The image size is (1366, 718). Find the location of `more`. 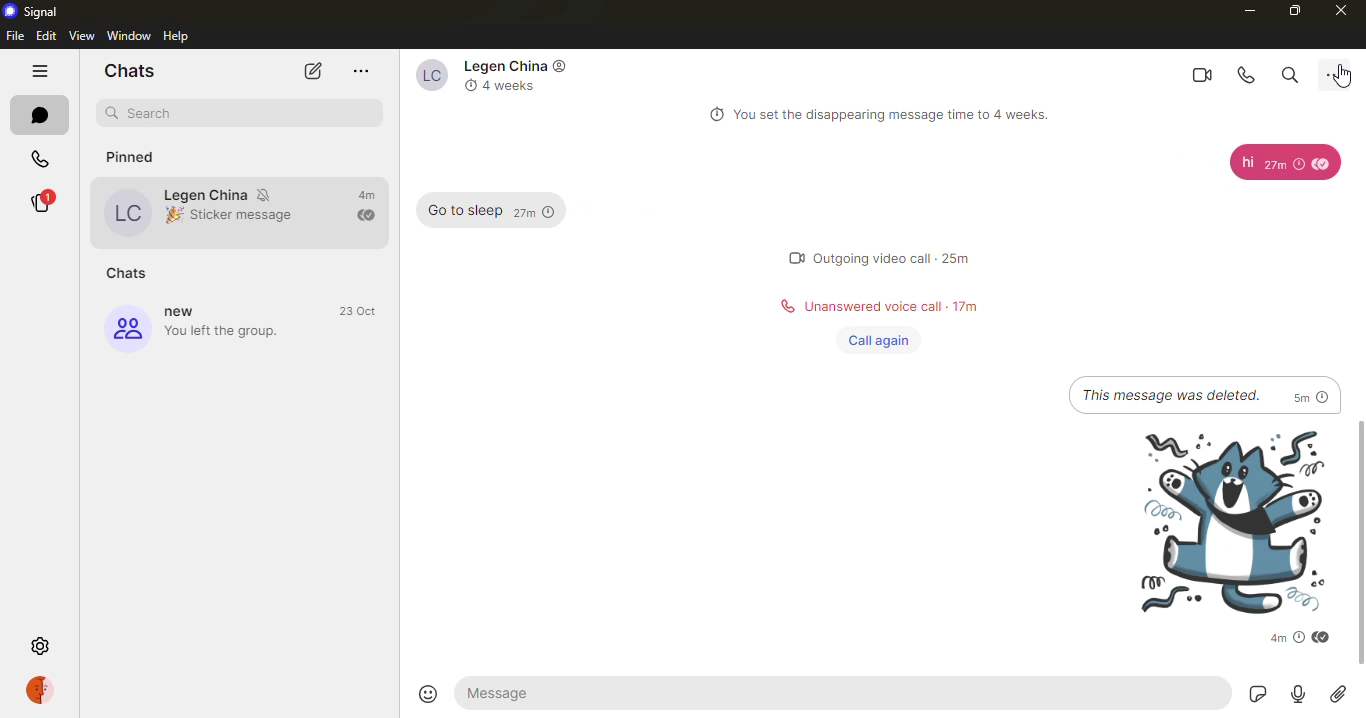

more is located at coordinates (1341, 71).